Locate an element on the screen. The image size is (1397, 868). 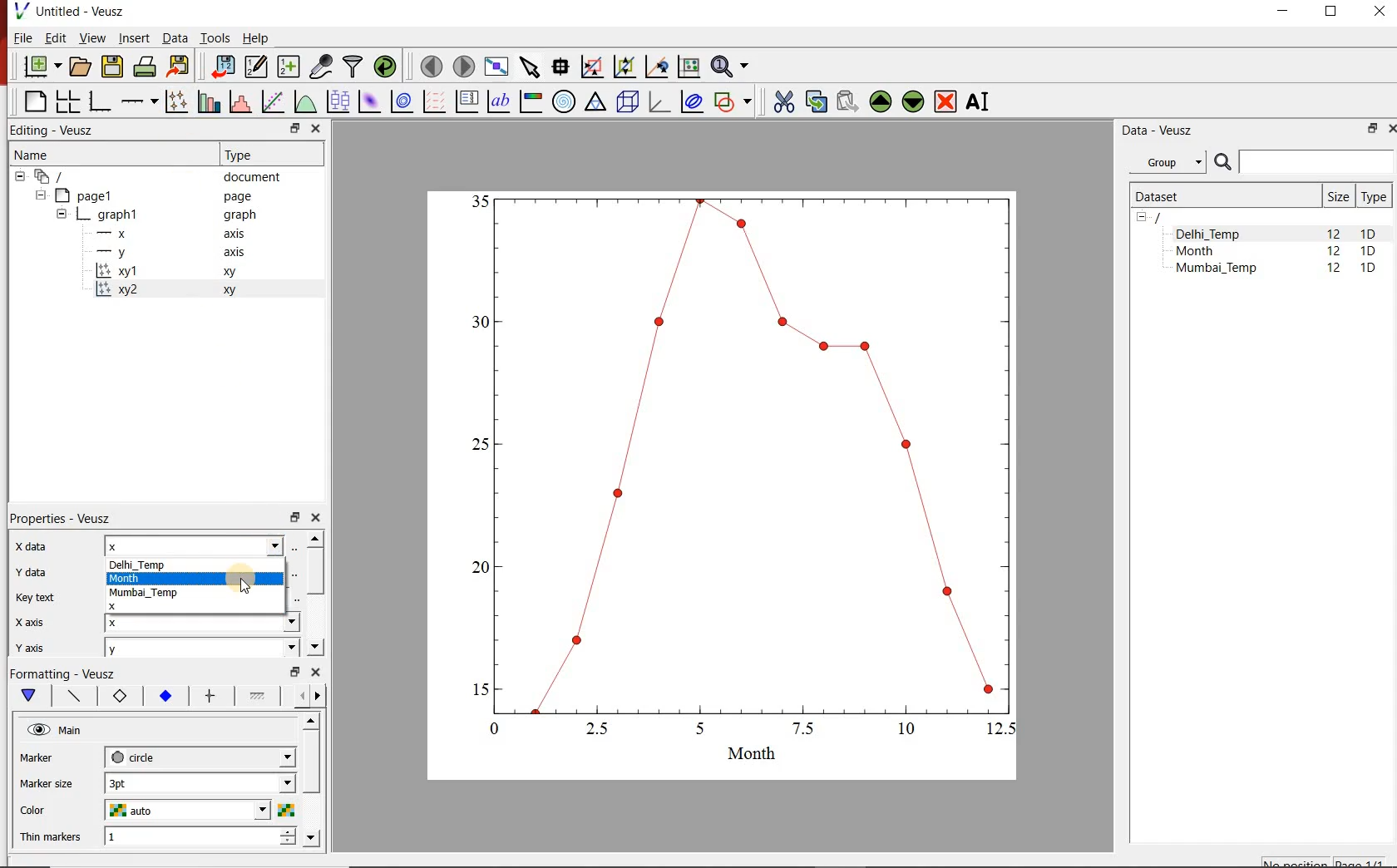
plot a function is located at coordinates (305, 101).